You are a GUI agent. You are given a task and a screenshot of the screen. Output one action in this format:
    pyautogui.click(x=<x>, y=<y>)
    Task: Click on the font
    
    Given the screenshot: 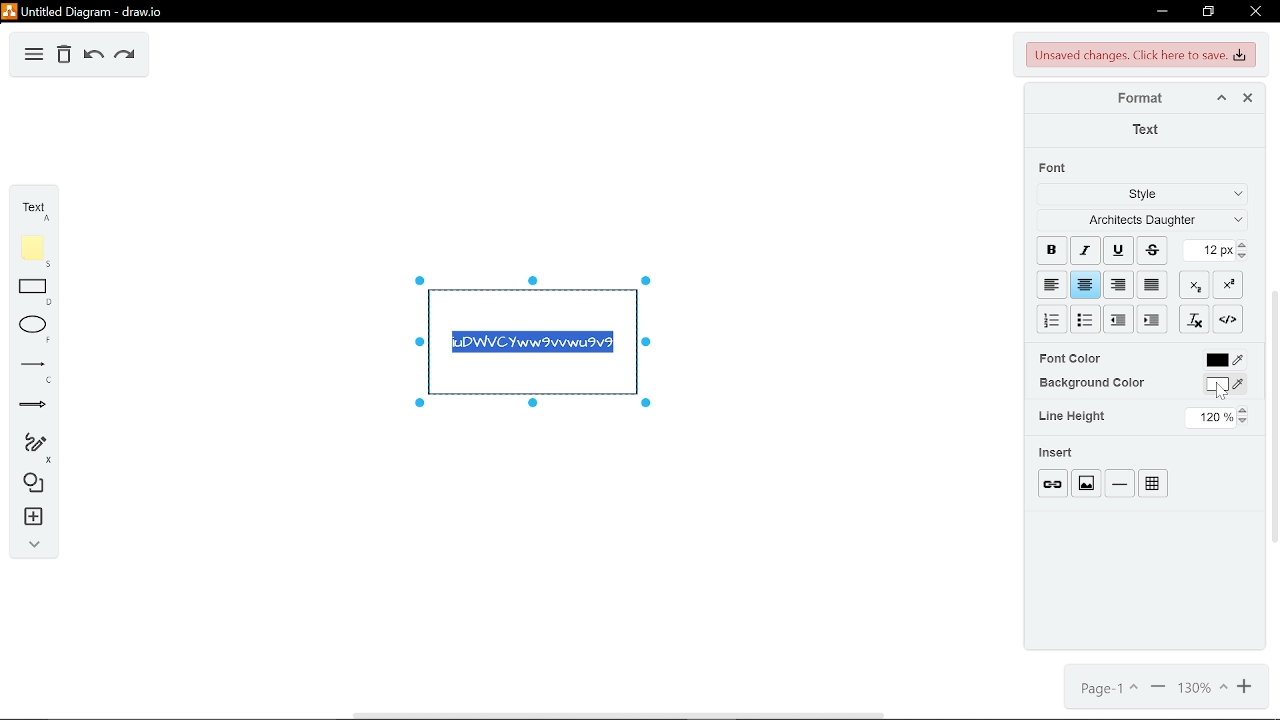 What is the action you would take?
    pyautogui.click(x=1056, y=167)
    